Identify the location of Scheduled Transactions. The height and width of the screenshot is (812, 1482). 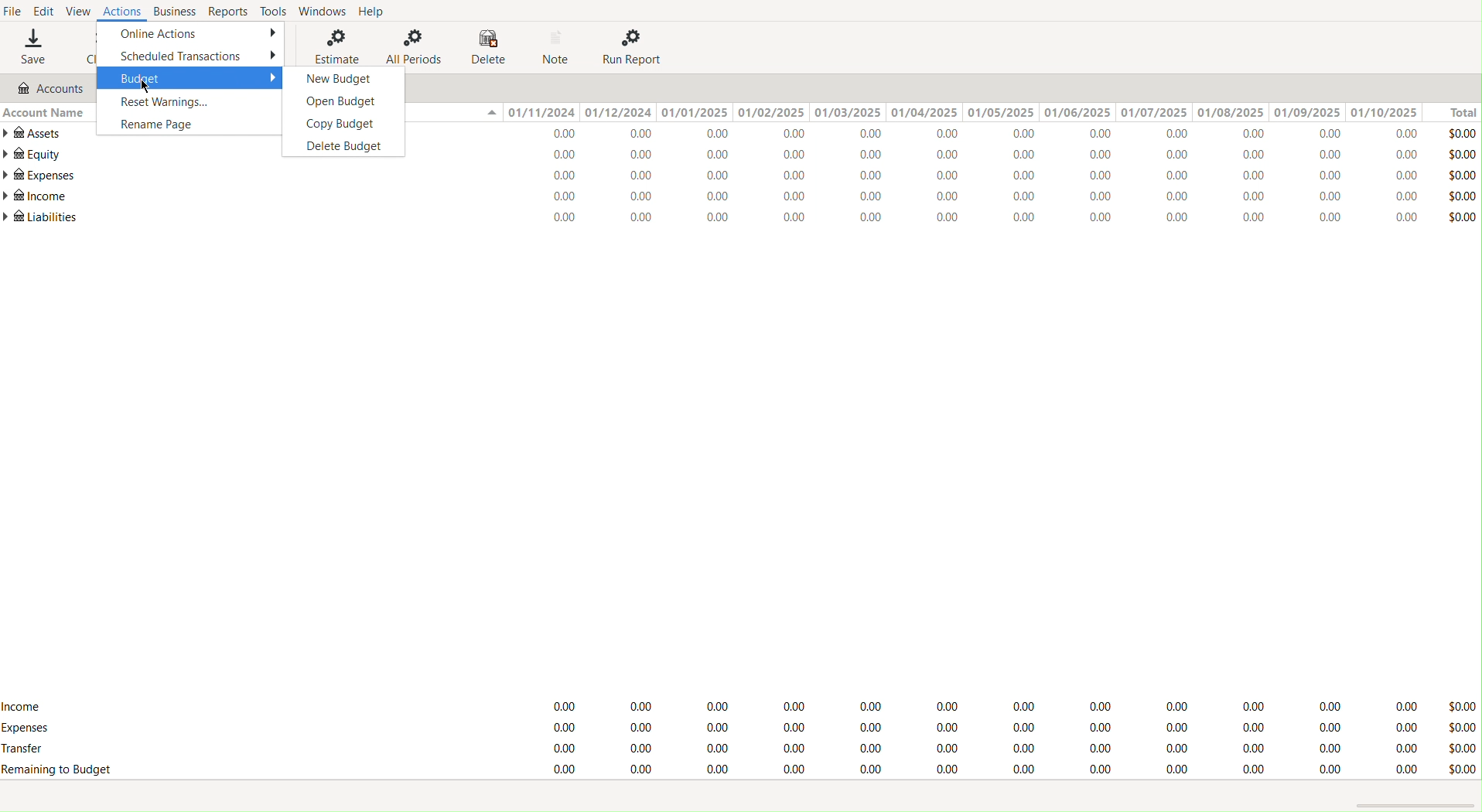
(192, 56).